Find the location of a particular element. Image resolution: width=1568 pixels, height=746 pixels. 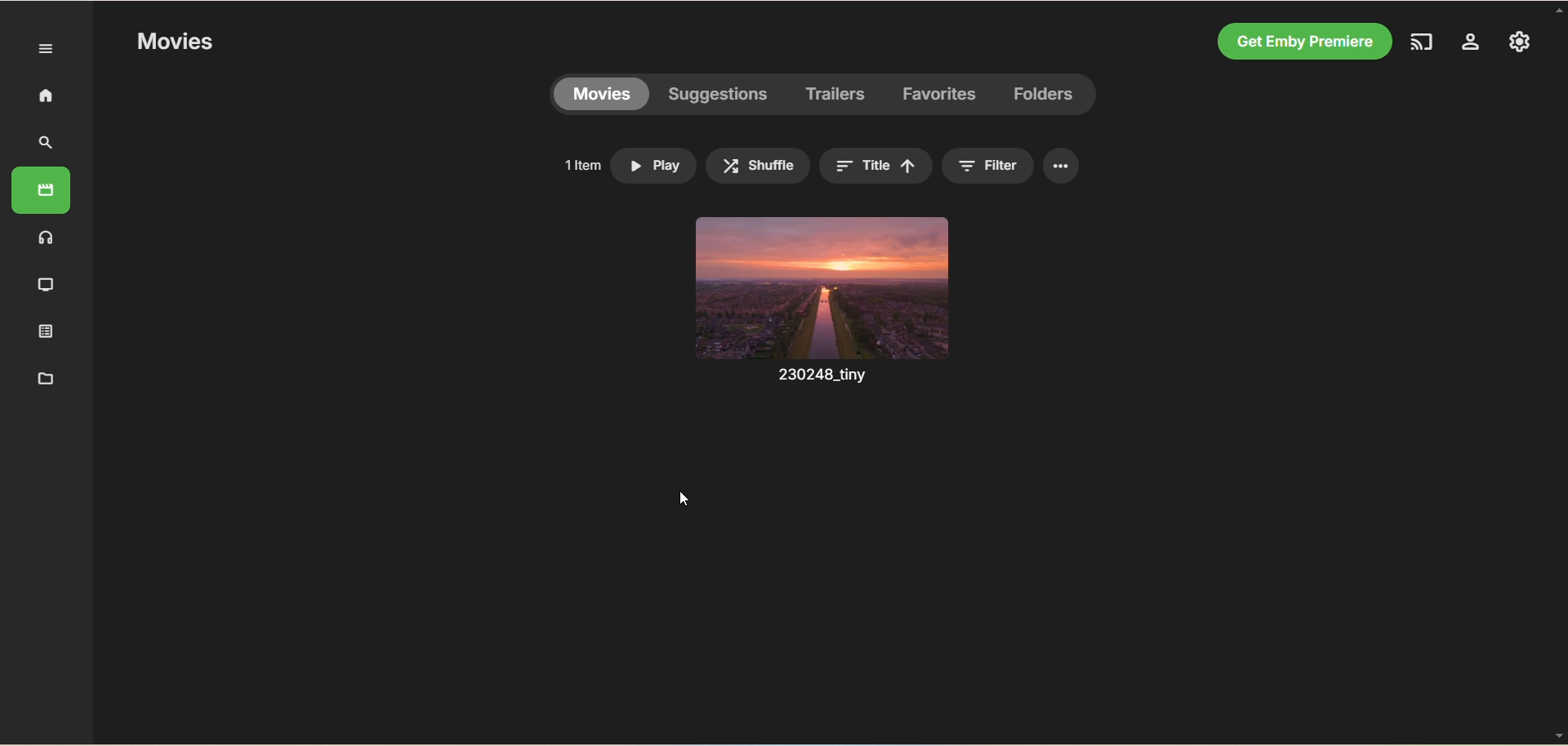

movies is located at coordinates (46, 193).